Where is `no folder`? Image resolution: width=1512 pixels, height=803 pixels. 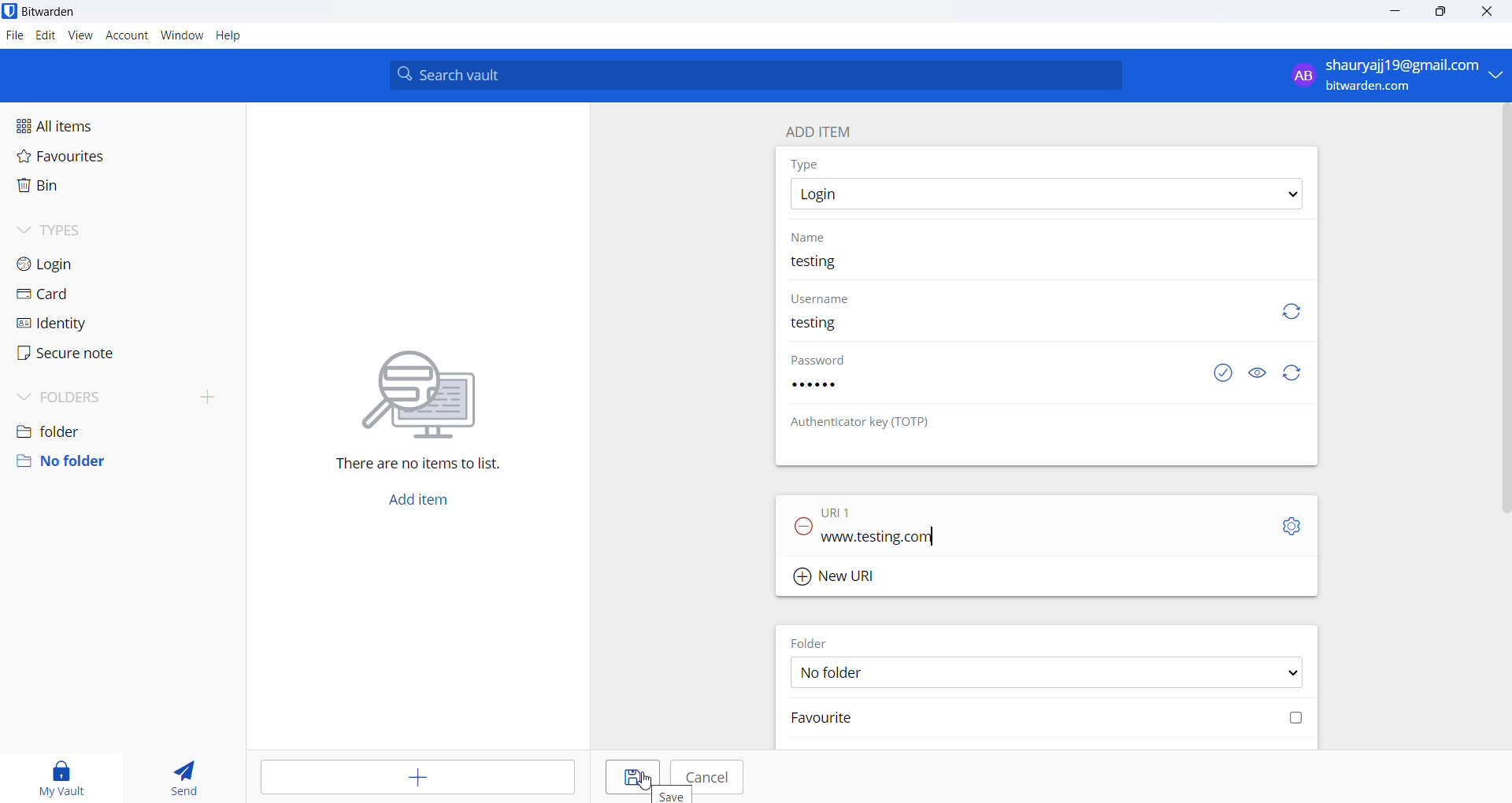 no folder is located at coordinates (117, 461).